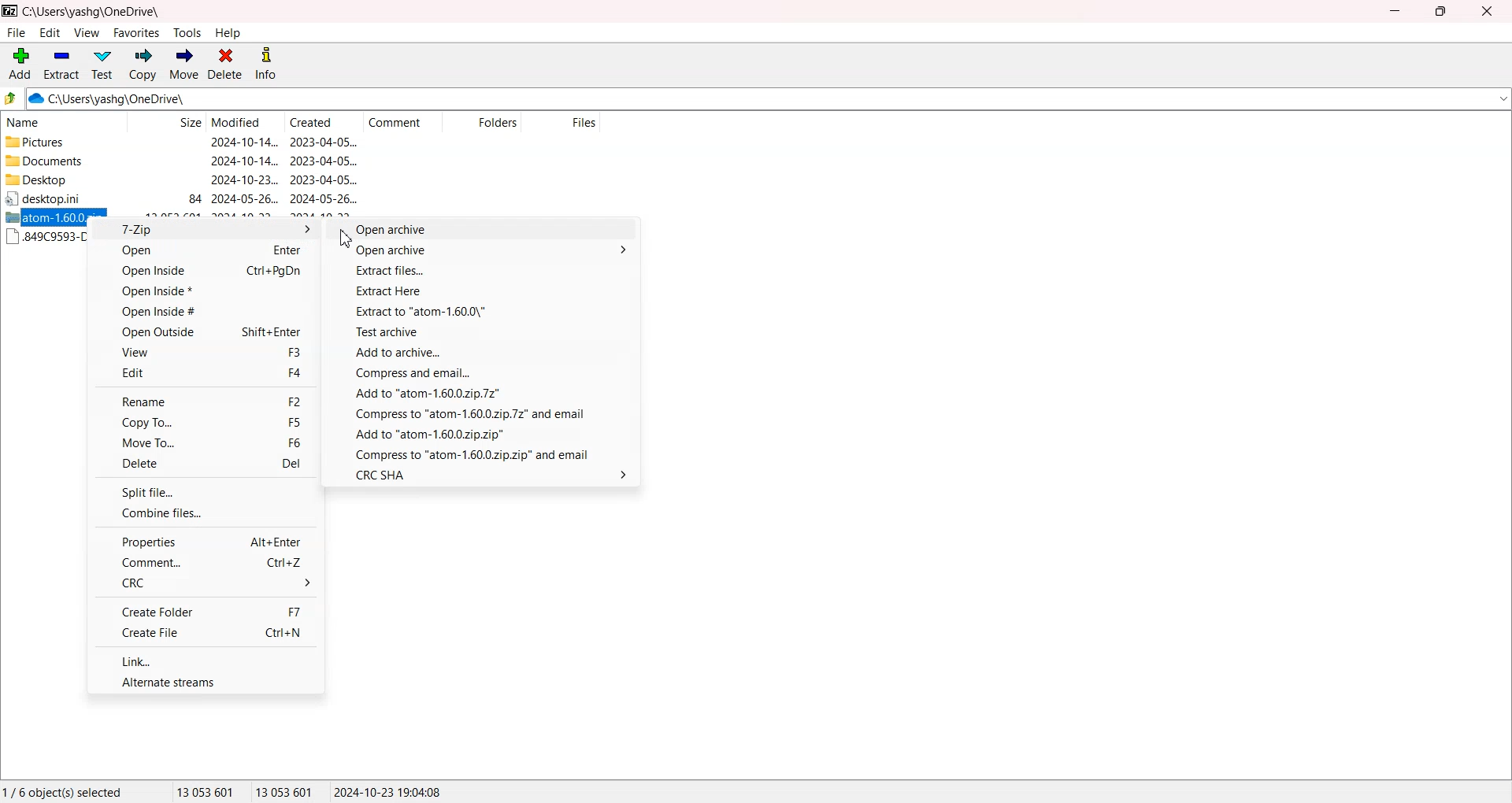 The width and height of the screenshot is (1512, 803). Describe the element at coordinates (62, 791) in the screenshot. I see `1/6 object(s) selected` at that location.